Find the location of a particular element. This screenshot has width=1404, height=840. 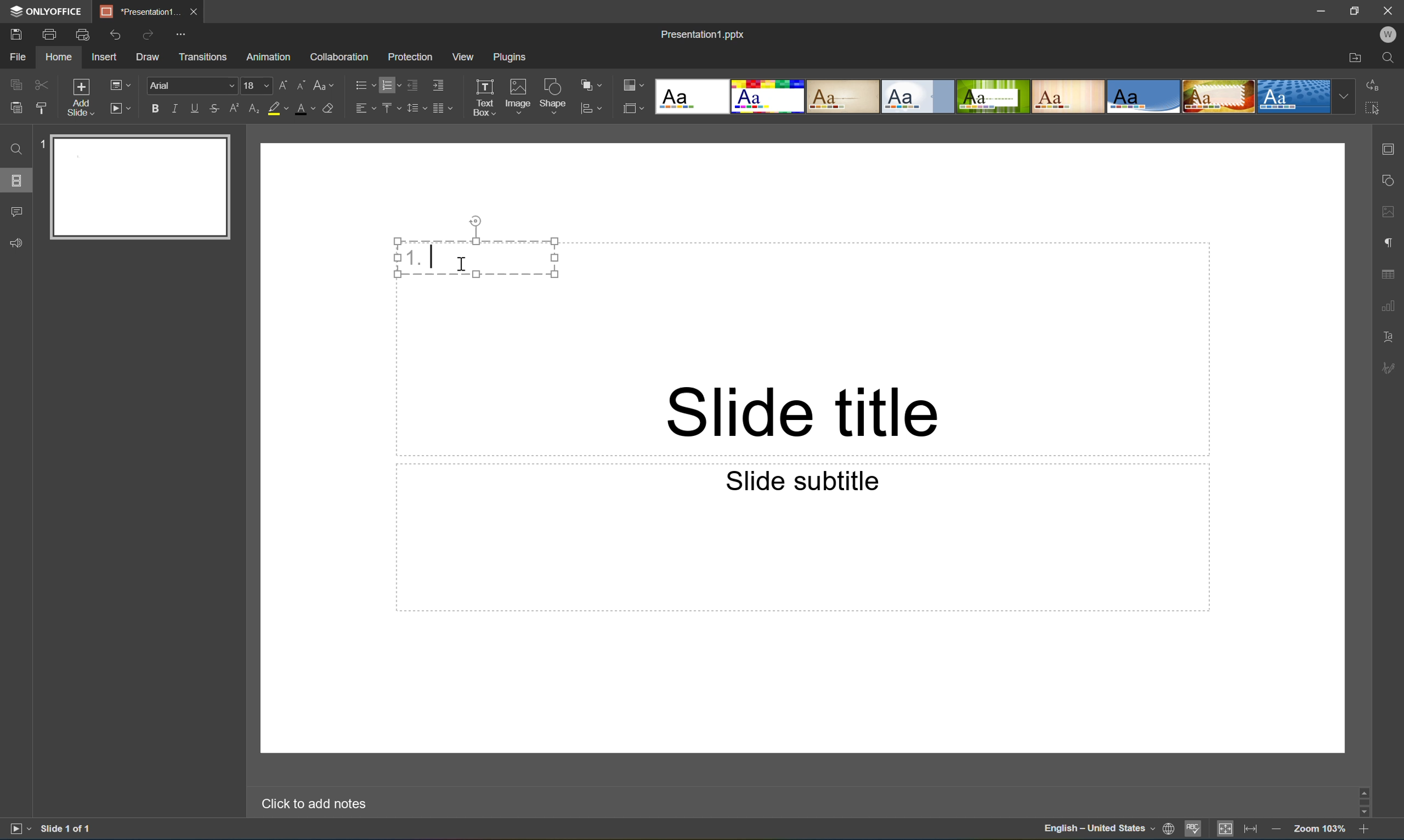

Text box is located at coordinates (483, 97).